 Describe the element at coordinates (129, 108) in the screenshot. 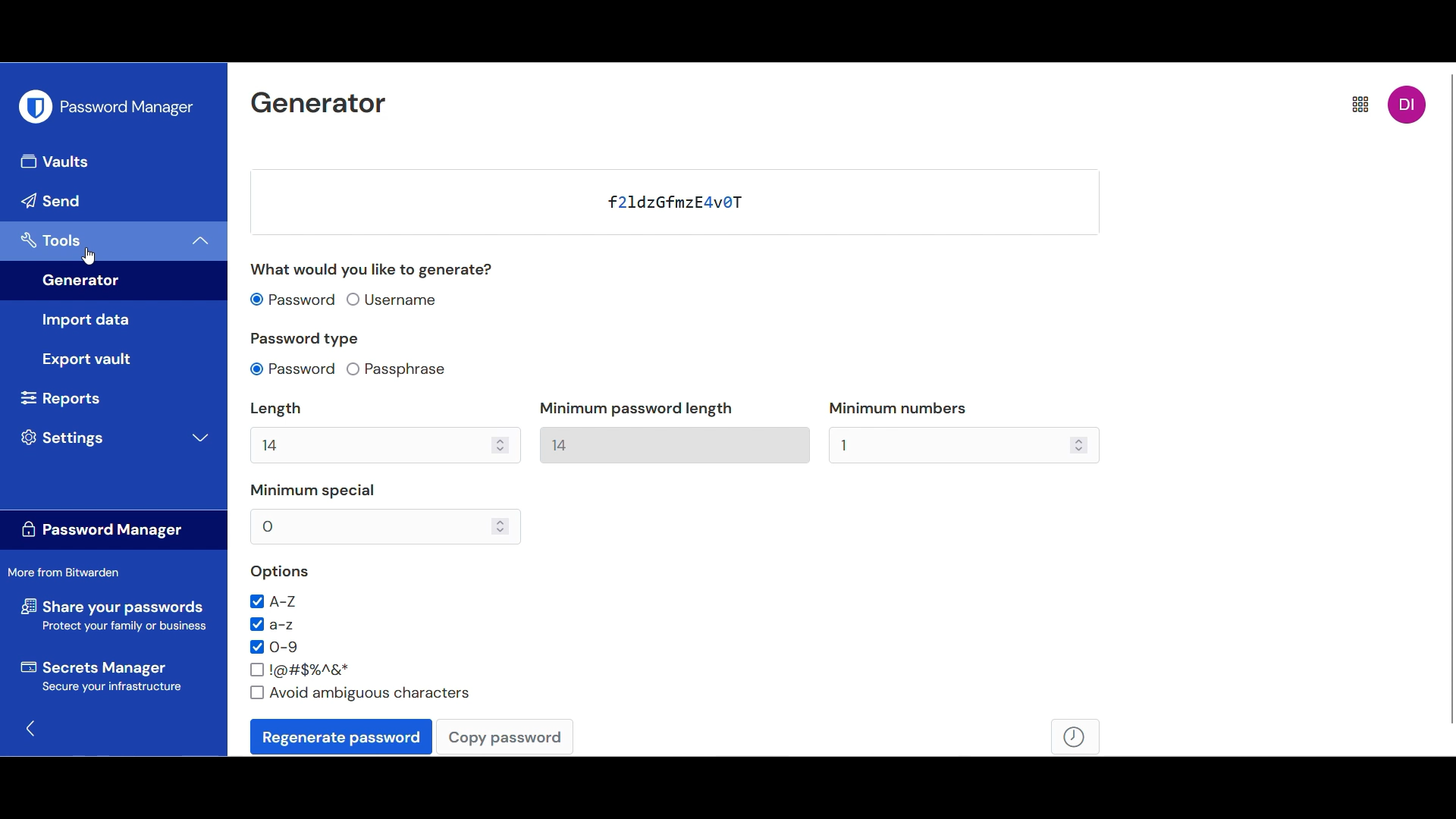

I see `Password manager` at that location.